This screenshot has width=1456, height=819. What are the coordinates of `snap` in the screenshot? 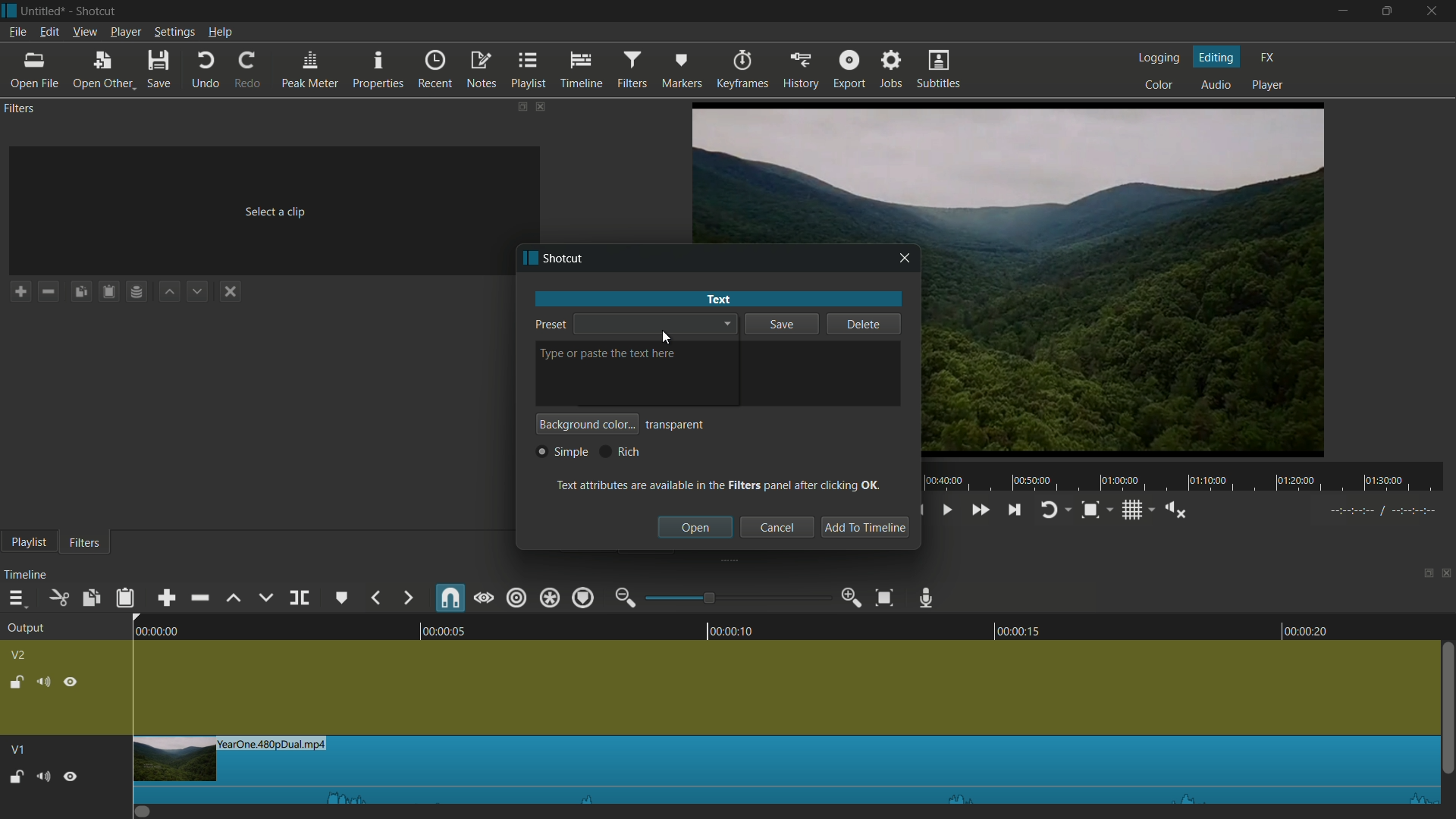 It's located at (451, 599).